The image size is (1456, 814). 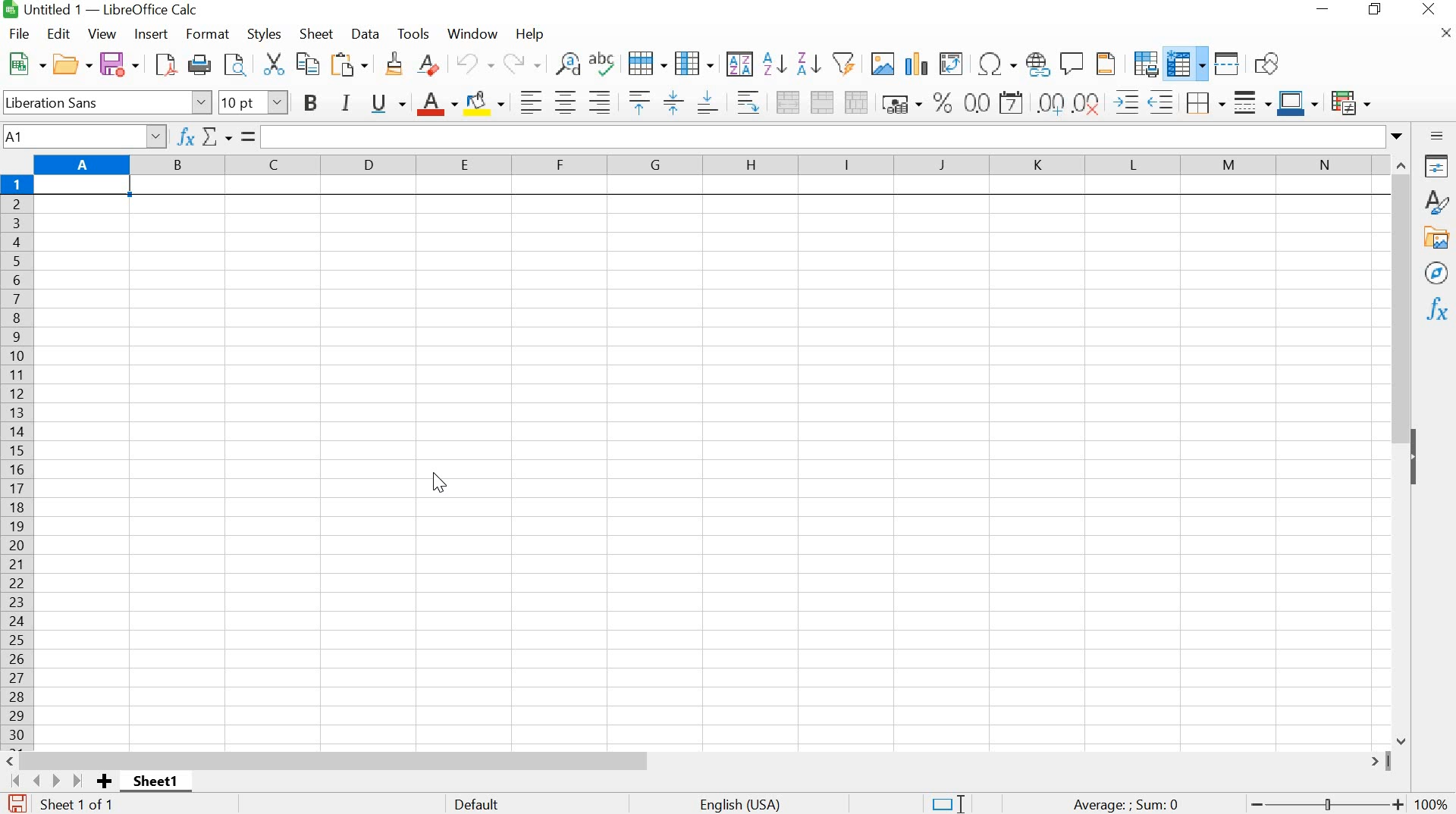 What do you see at coordinates (486, 102) in the screenshot?
I see `BACKGROUND COLOR` at bounding box center [486, 102].